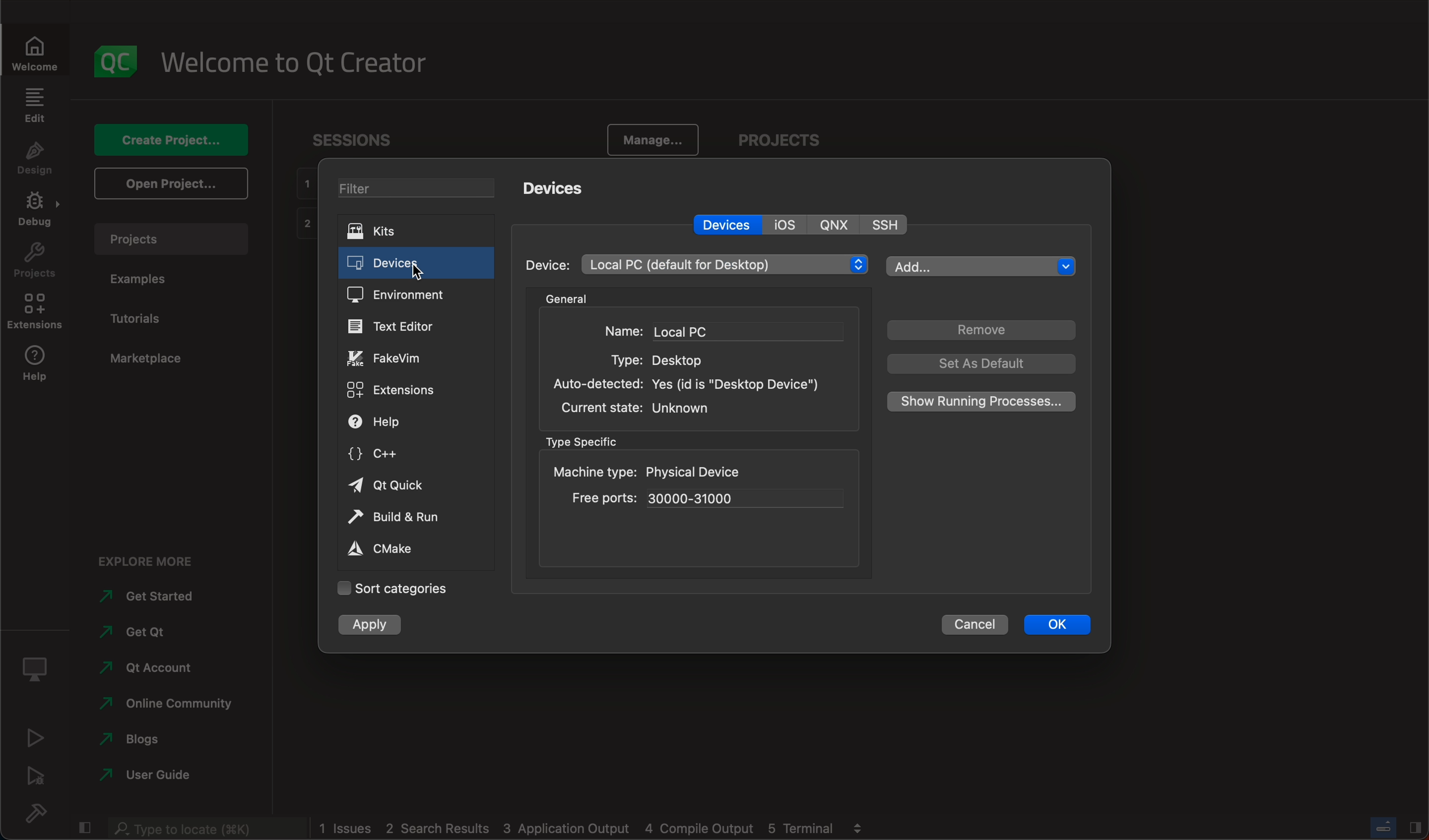 The image size is (1429, 840). Describe the element at coordinates (652, 138) in the screenshot. I see `manage` at that location.